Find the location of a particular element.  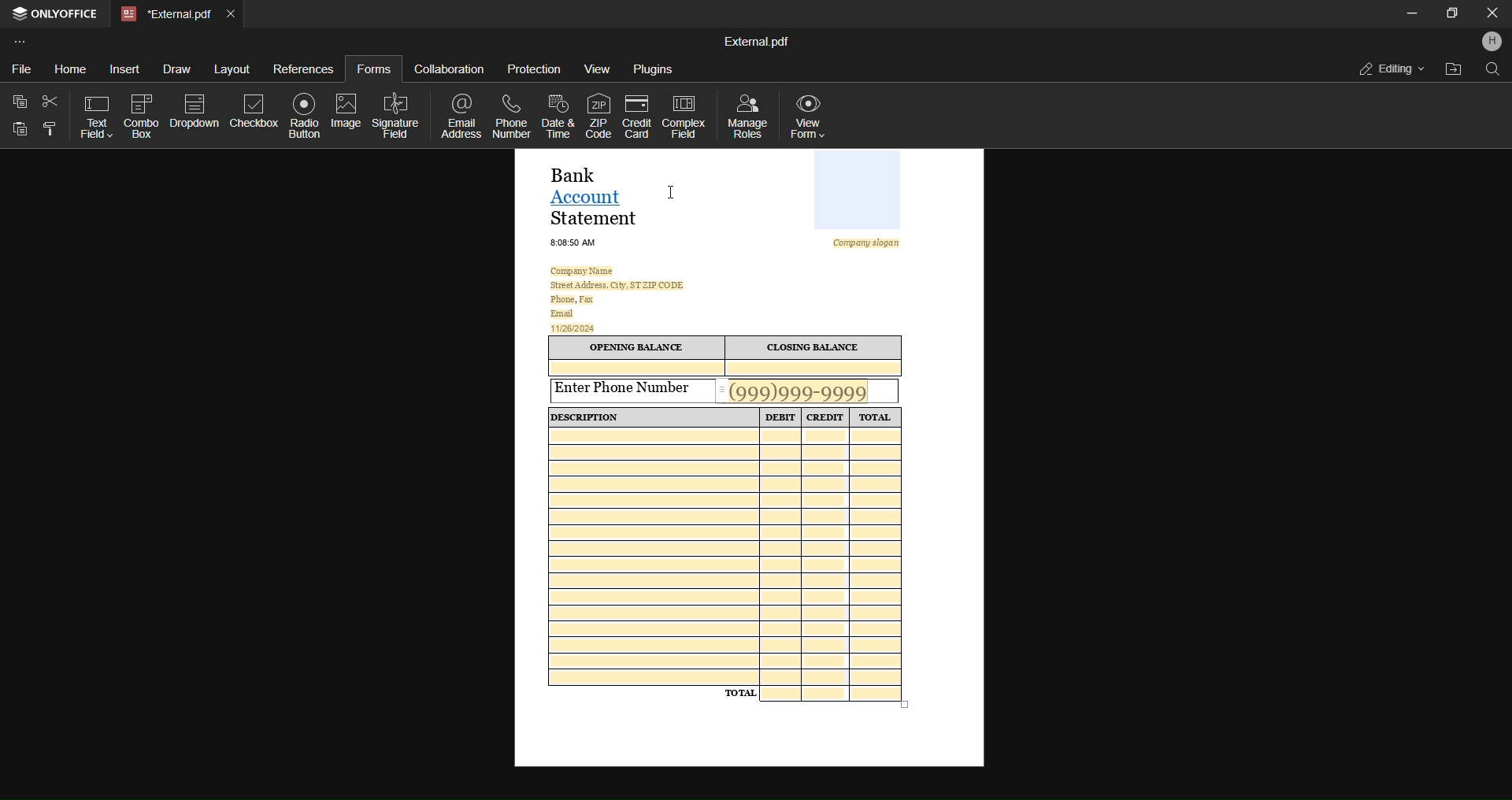

layout is located at coordinates (231, 69).